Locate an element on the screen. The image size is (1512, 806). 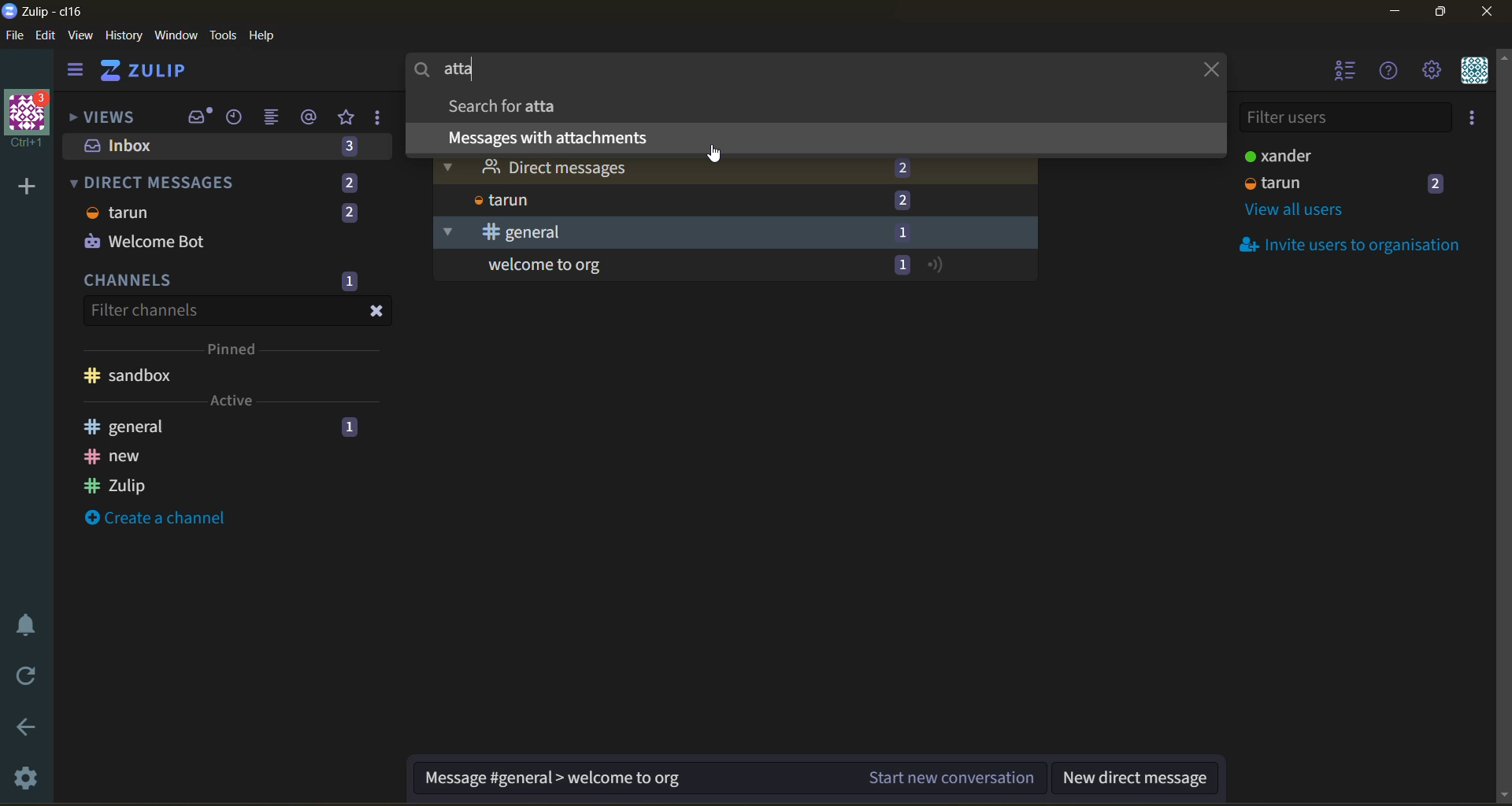
inbox is located at coordinates (198, 116).